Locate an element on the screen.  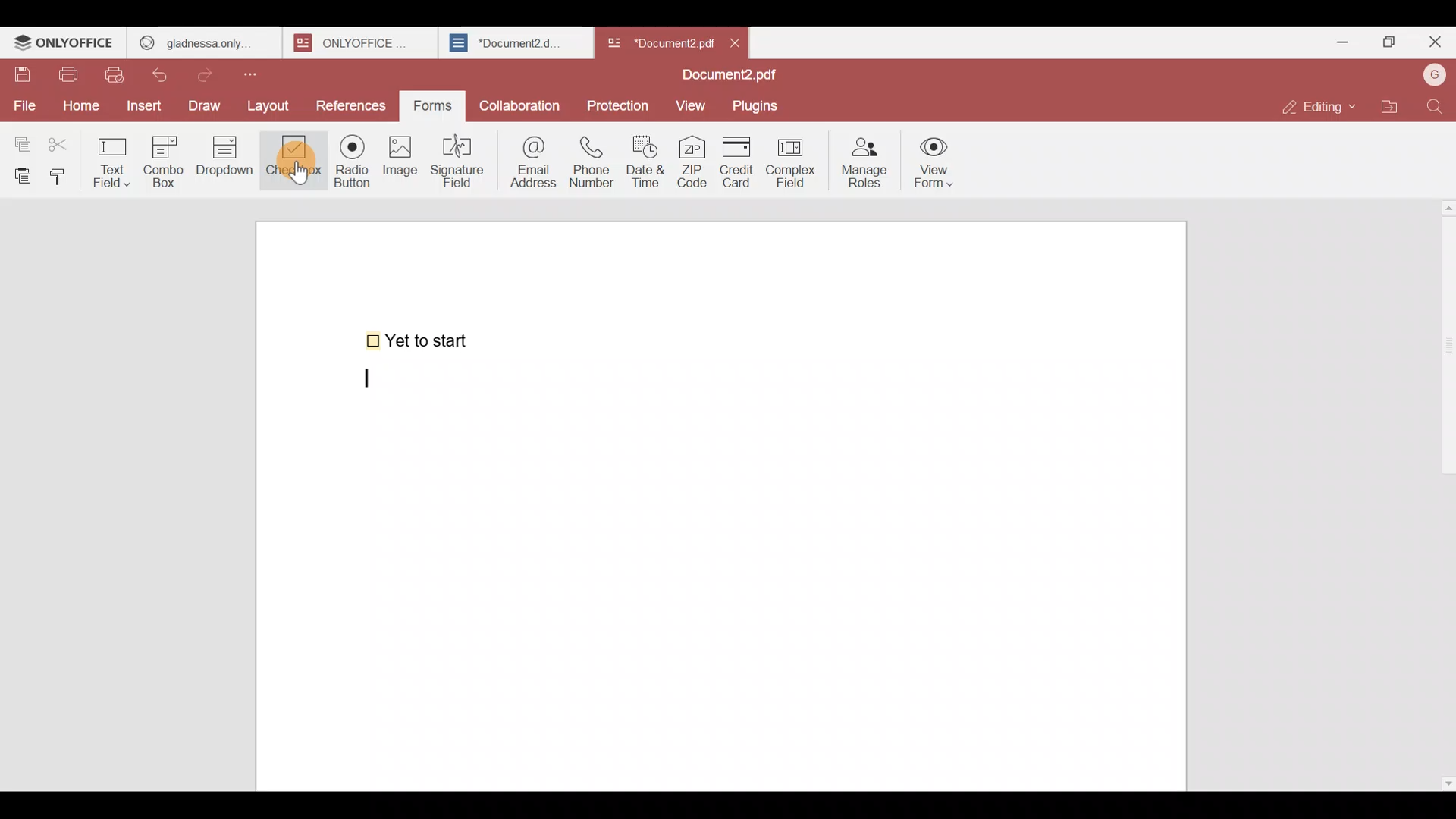
Account name is located at coordinates (1434, 74).